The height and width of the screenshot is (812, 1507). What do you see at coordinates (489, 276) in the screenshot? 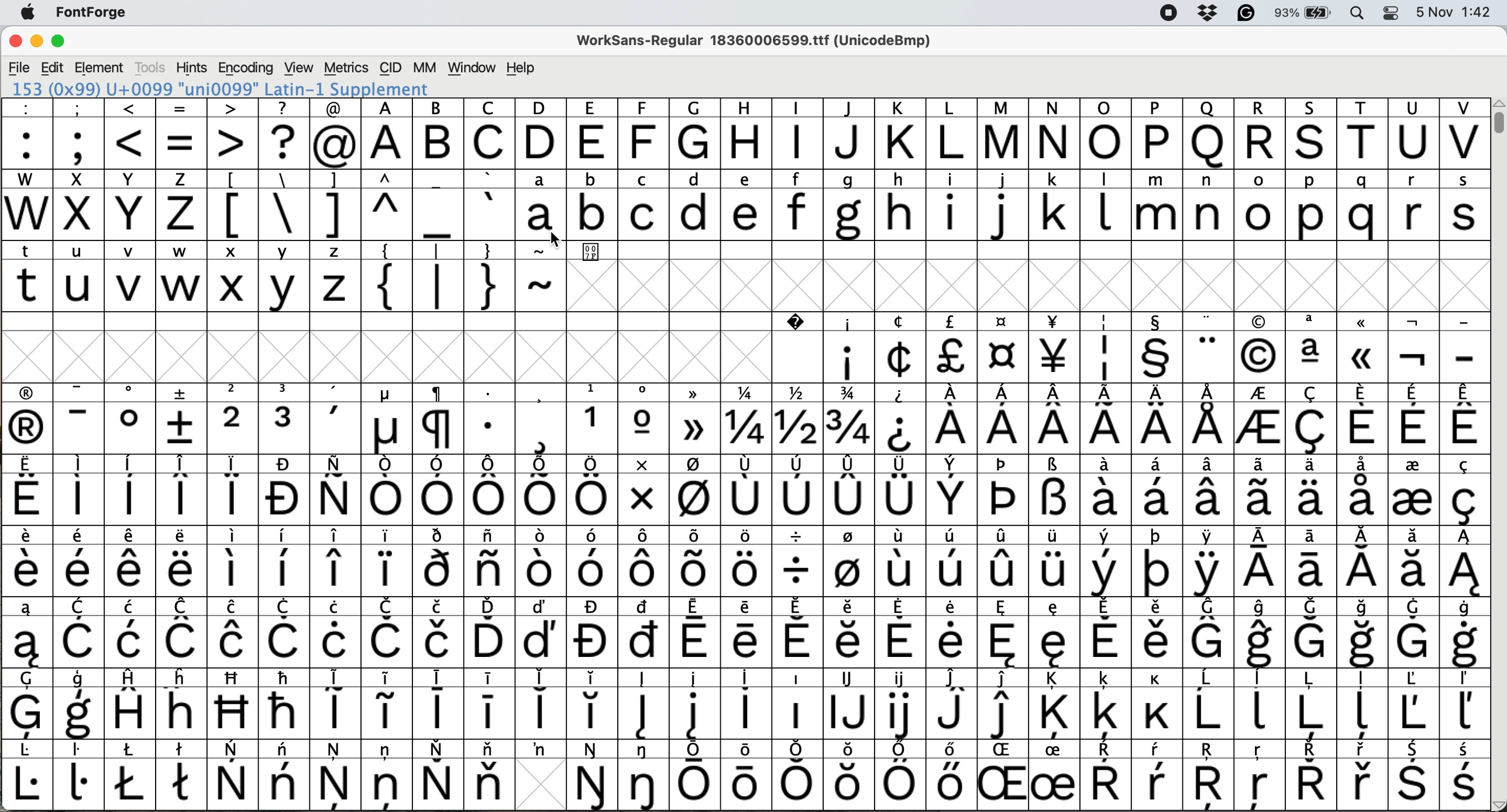
I see `}` at bounding box center [489, 276].